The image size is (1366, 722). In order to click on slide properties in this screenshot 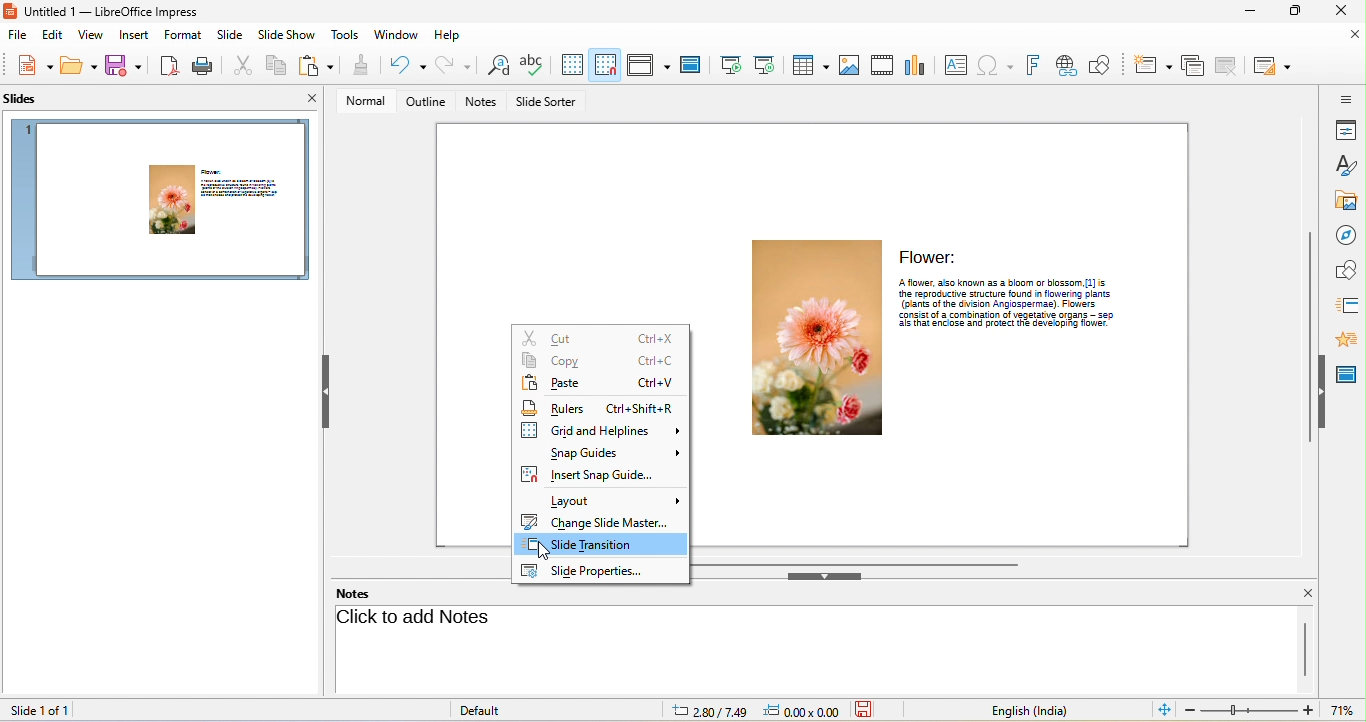, I will do `click(601, 572)`.